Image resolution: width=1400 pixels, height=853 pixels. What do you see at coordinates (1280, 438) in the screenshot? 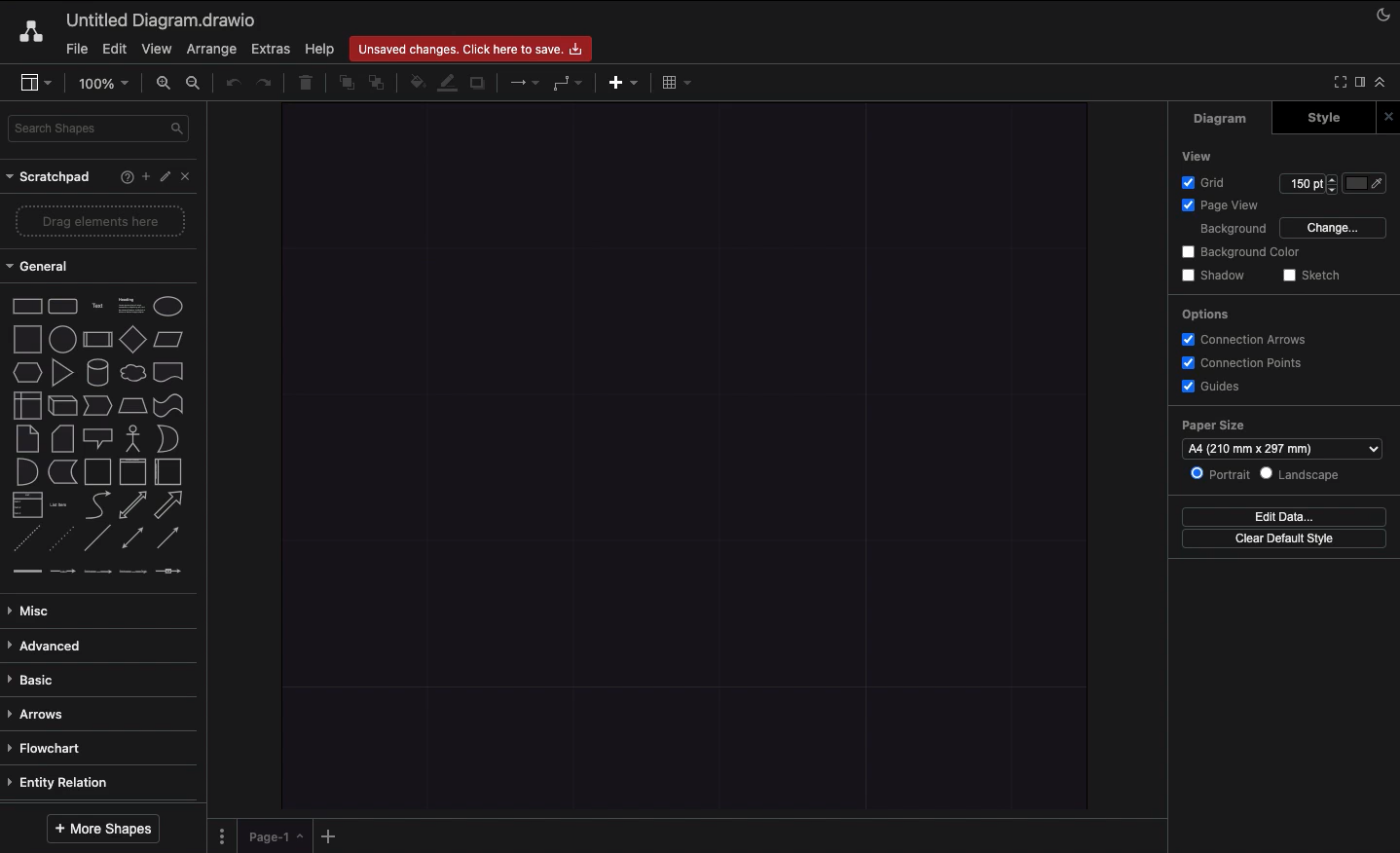
I see `Paper size` at bounding box center [1280, 438].